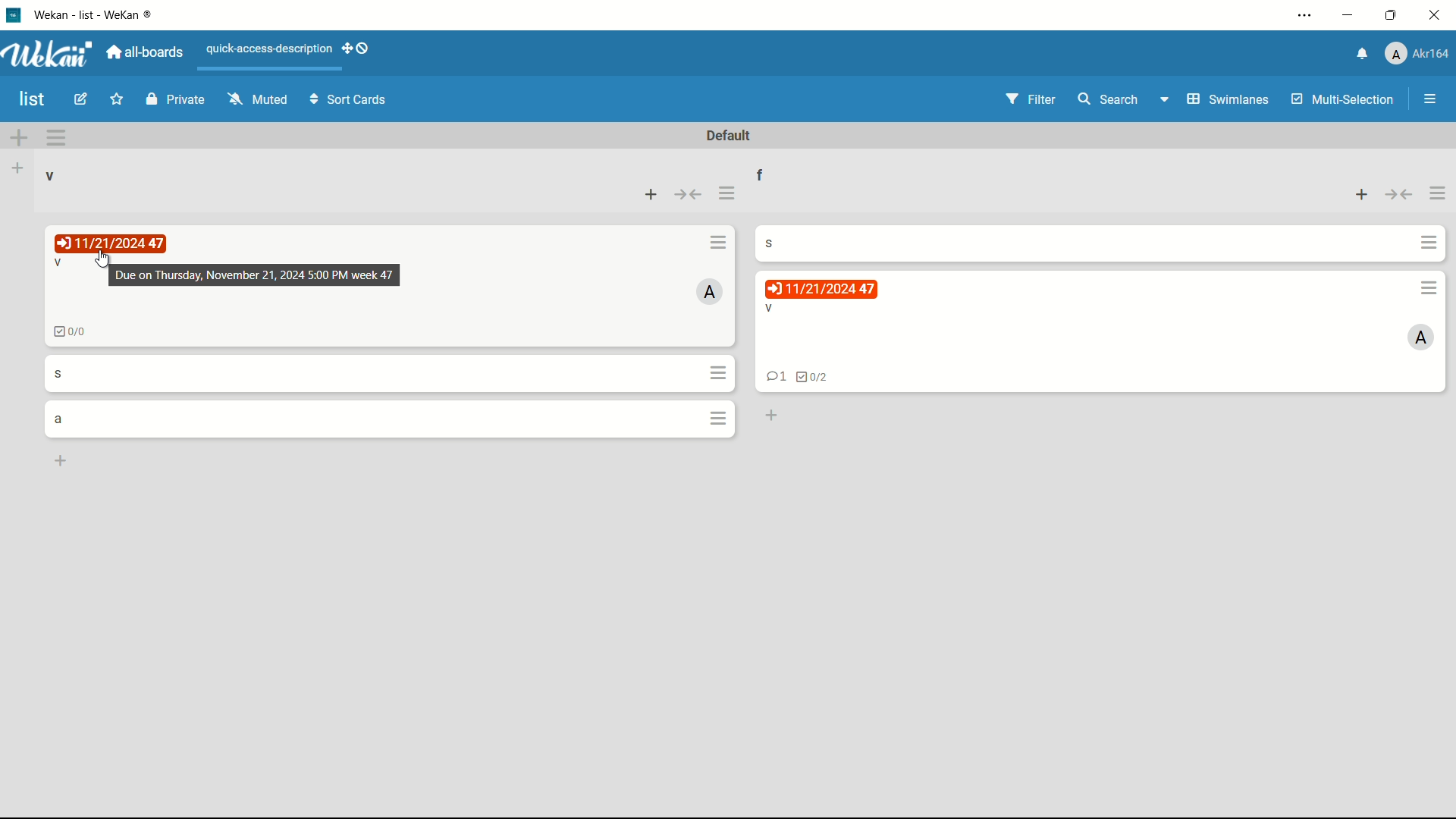 This screenshot has height=819, width=1456. What do you see at coordinates (1391, 17) in the screenshot?
I see `maximize` at bounding box center [1391, 17].